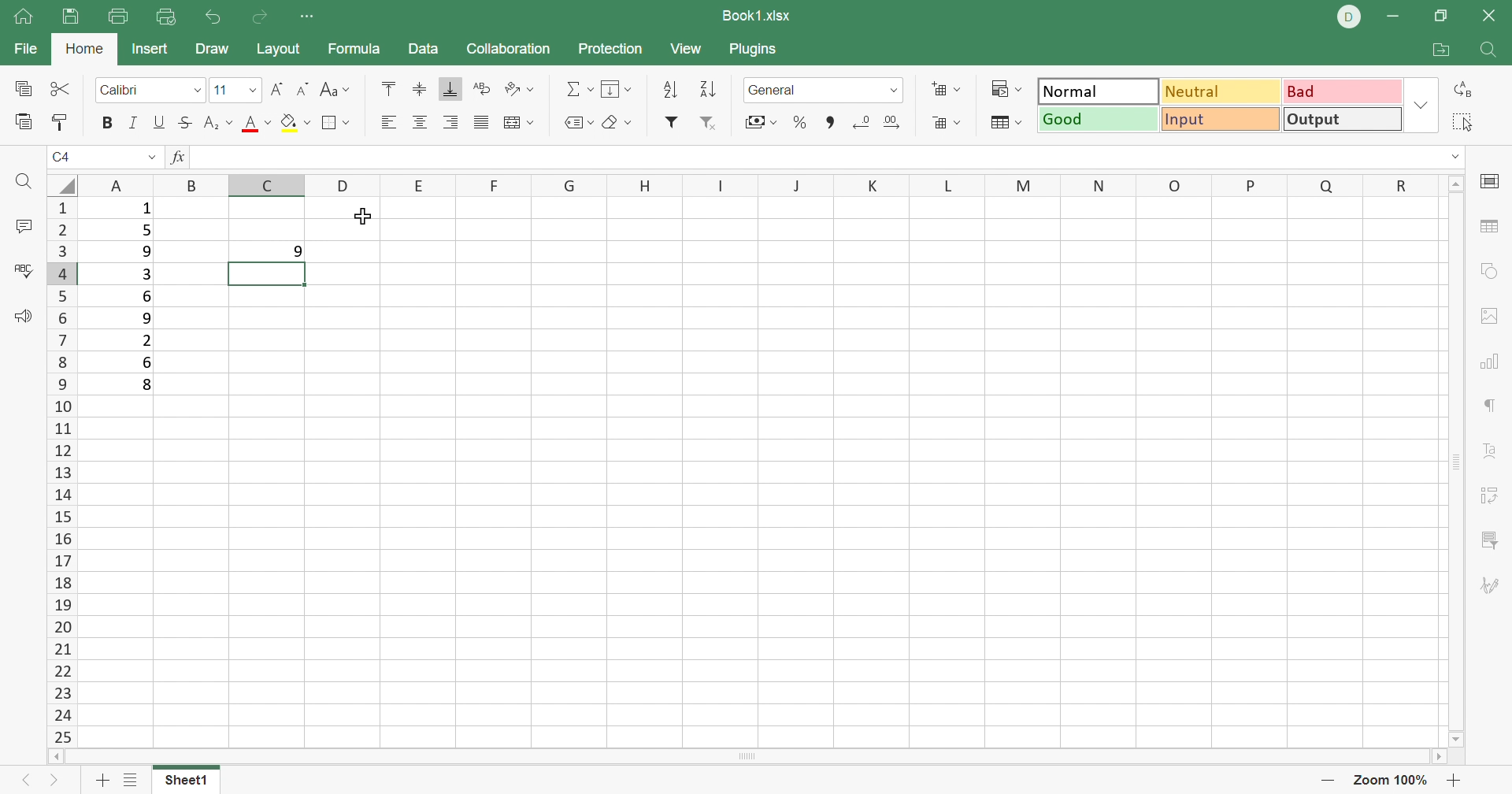 The image size is (1512, 794). I want to click on Previous, so click(20, 782).